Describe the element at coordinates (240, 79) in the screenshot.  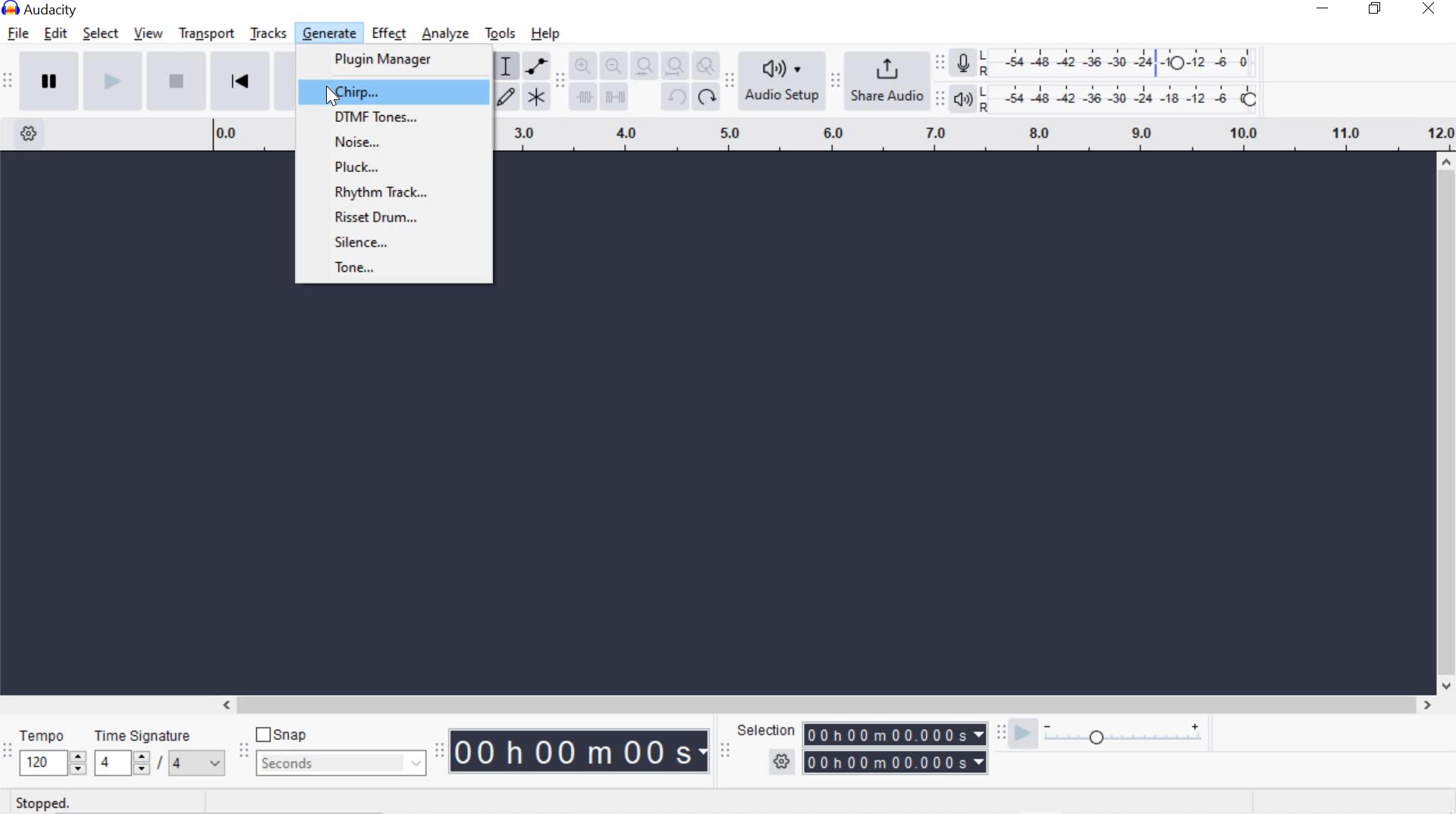
I see `skip to start` at that location.